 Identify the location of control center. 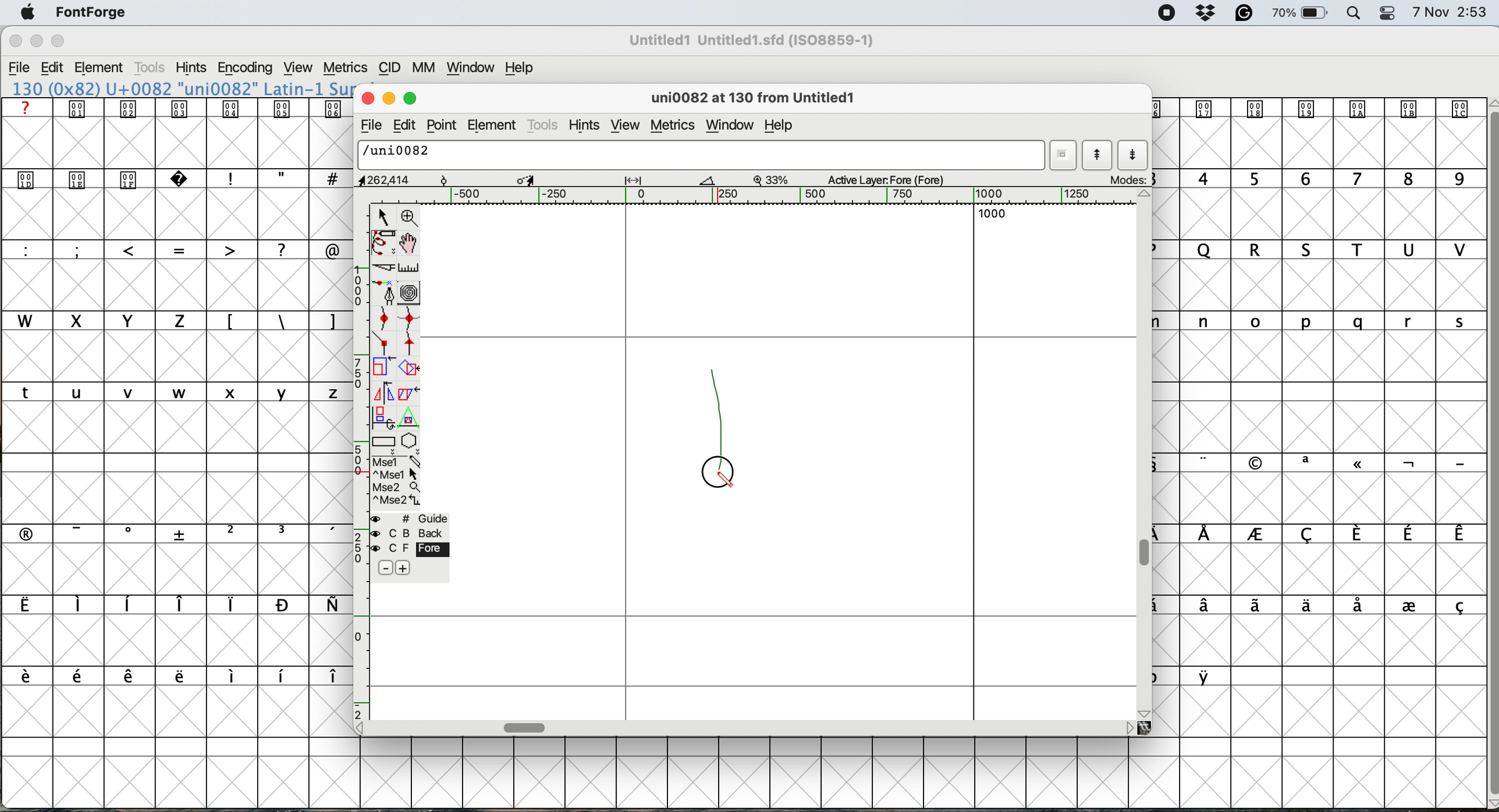
(1391, 12).